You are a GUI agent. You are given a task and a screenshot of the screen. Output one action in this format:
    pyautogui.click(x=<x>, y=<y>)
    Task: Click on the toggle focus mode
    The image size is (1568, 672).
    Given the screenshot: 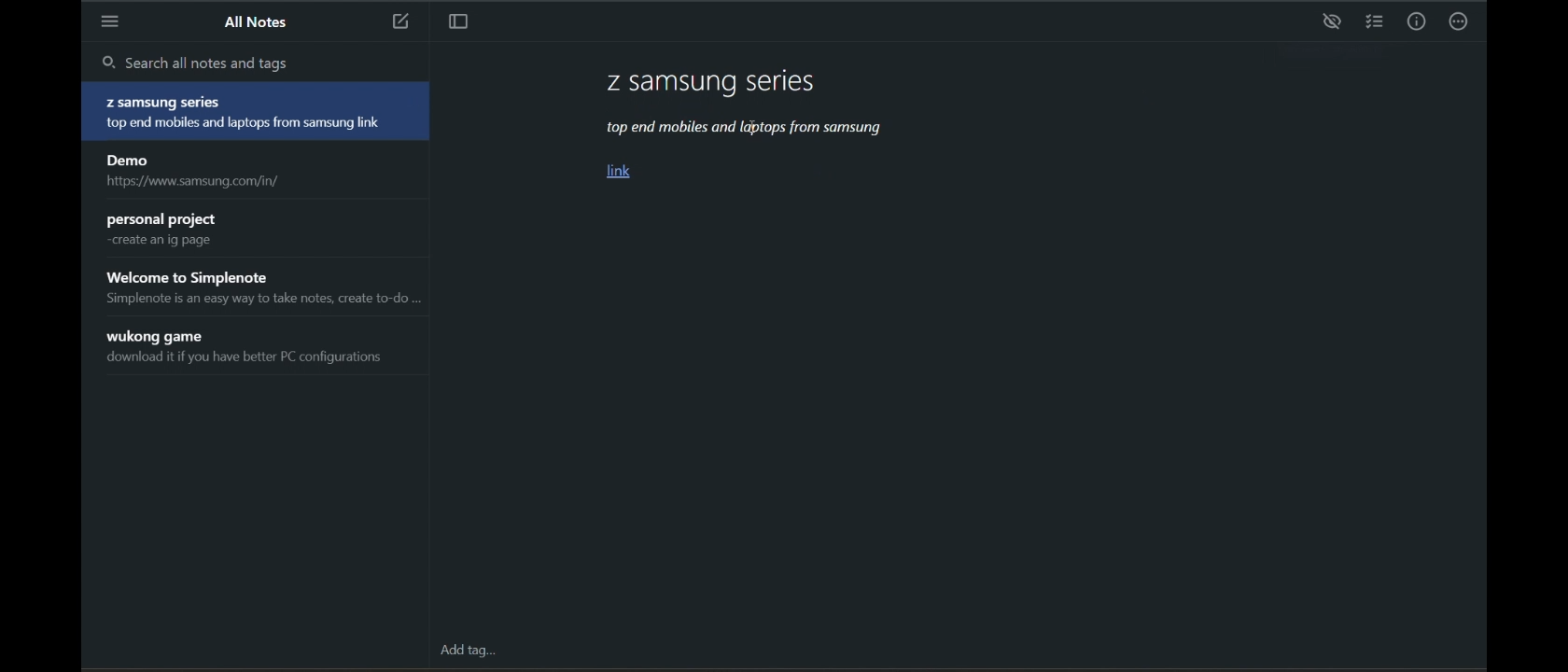 What is the action you would take?
    pyautogui.click(x=457, y=24)
    